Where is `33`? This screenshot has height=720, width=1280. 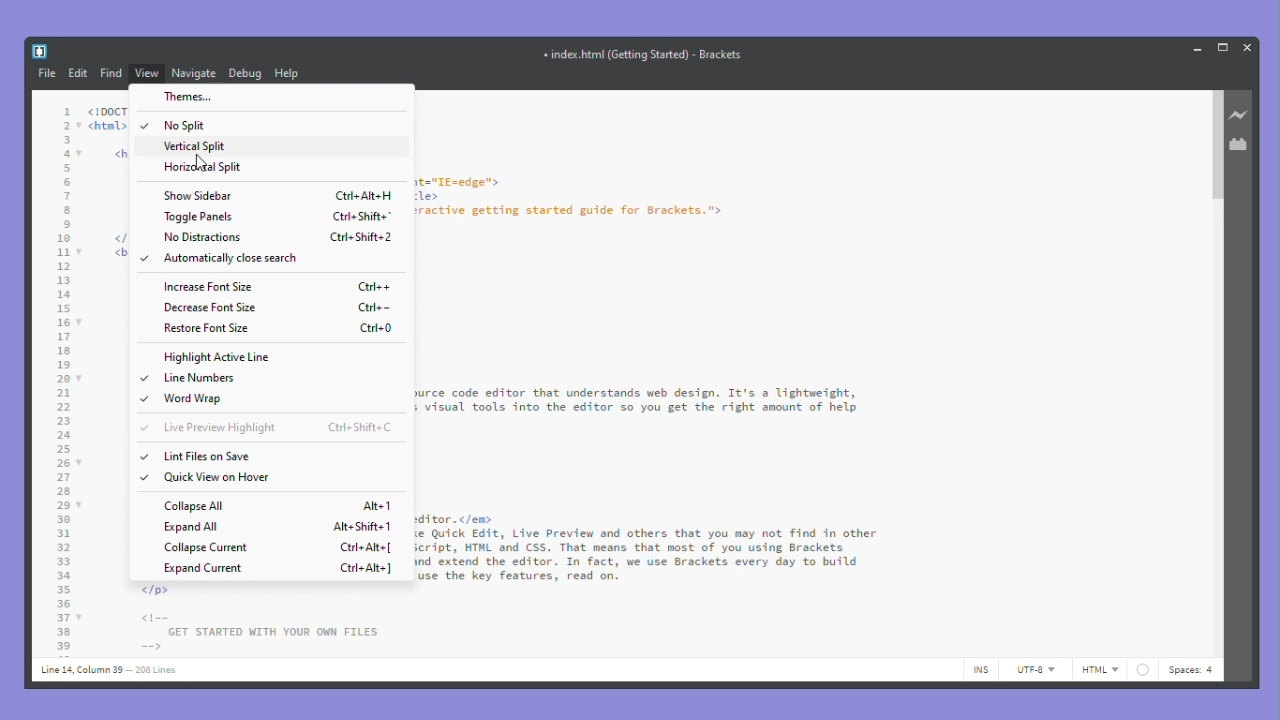
33 is located at coordinates (63, 562).